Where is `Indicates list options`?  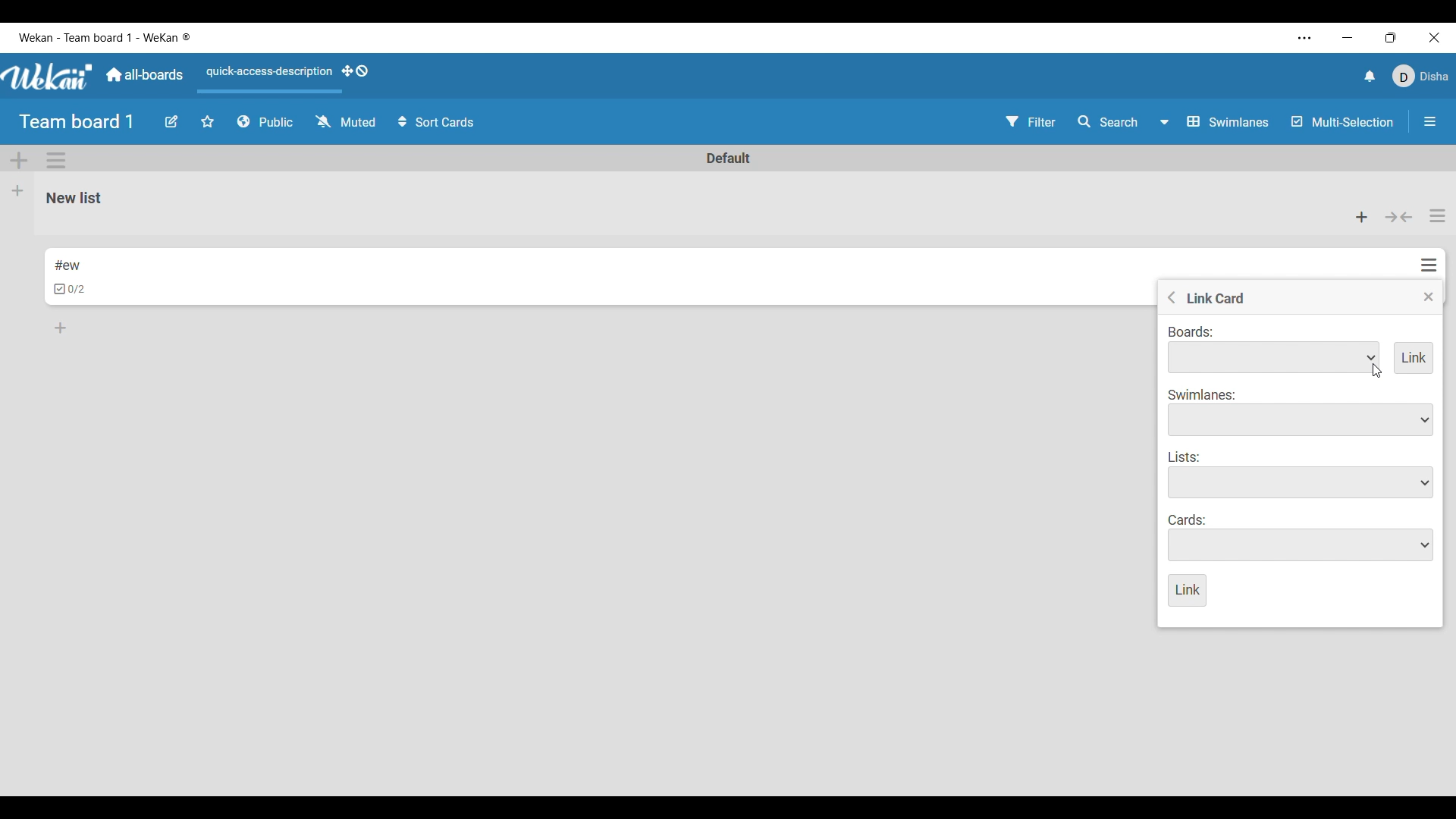 Indicates list options is located at coordinates (1185, 457).